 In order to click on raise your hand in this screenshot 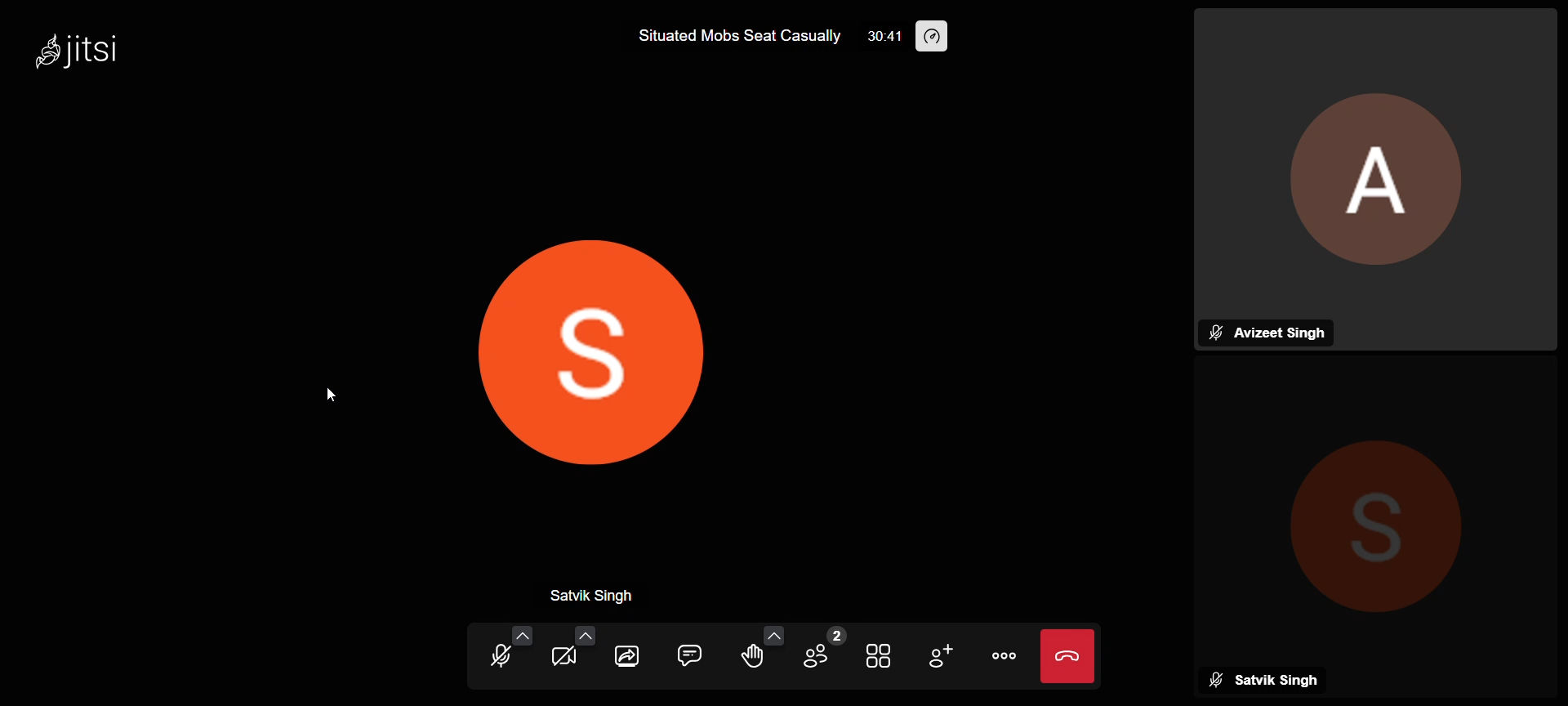, I will do `click(750, 655)`.